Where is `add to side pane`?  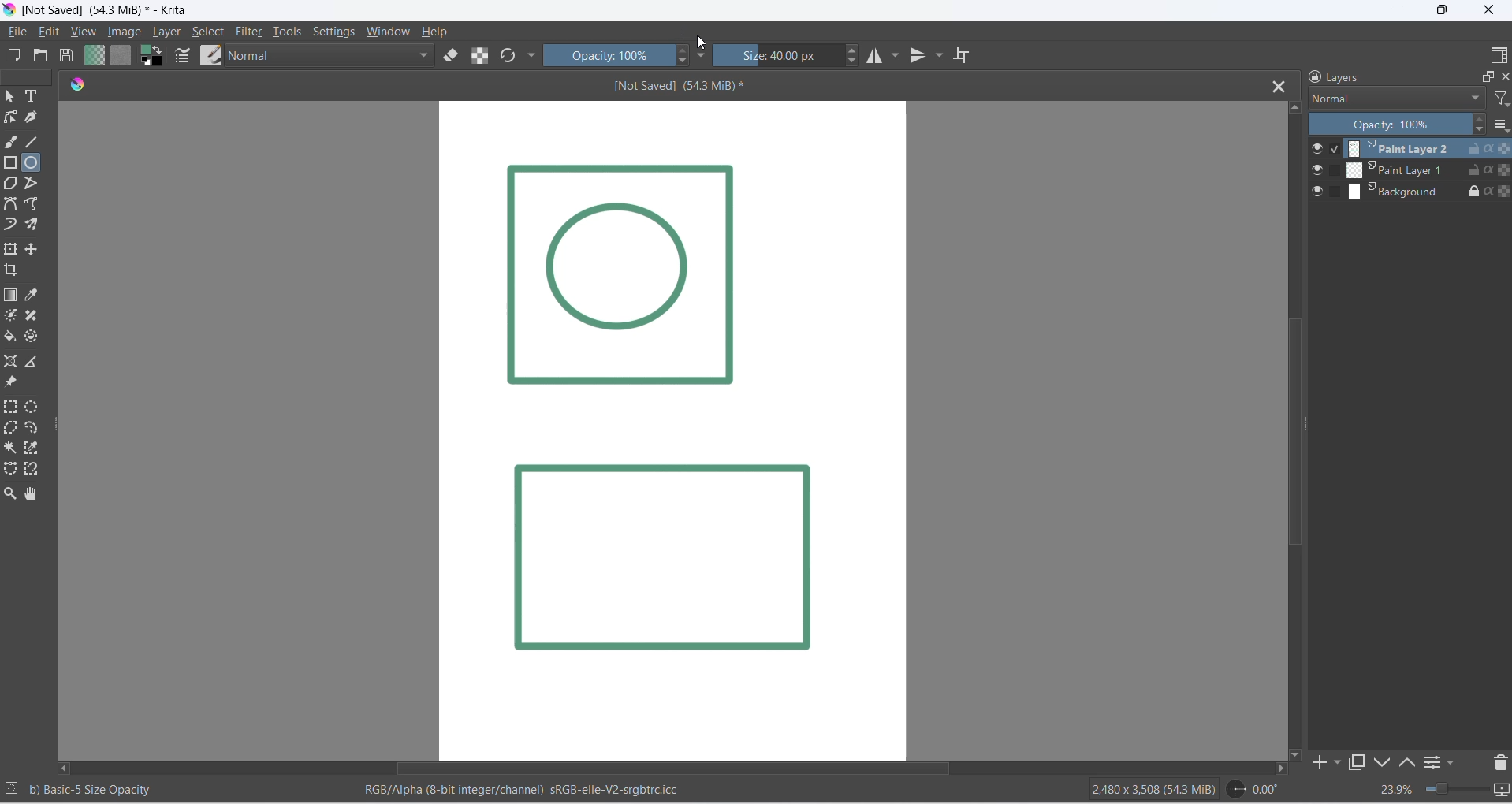
add to side pane is located at coordinates (1328, 762).